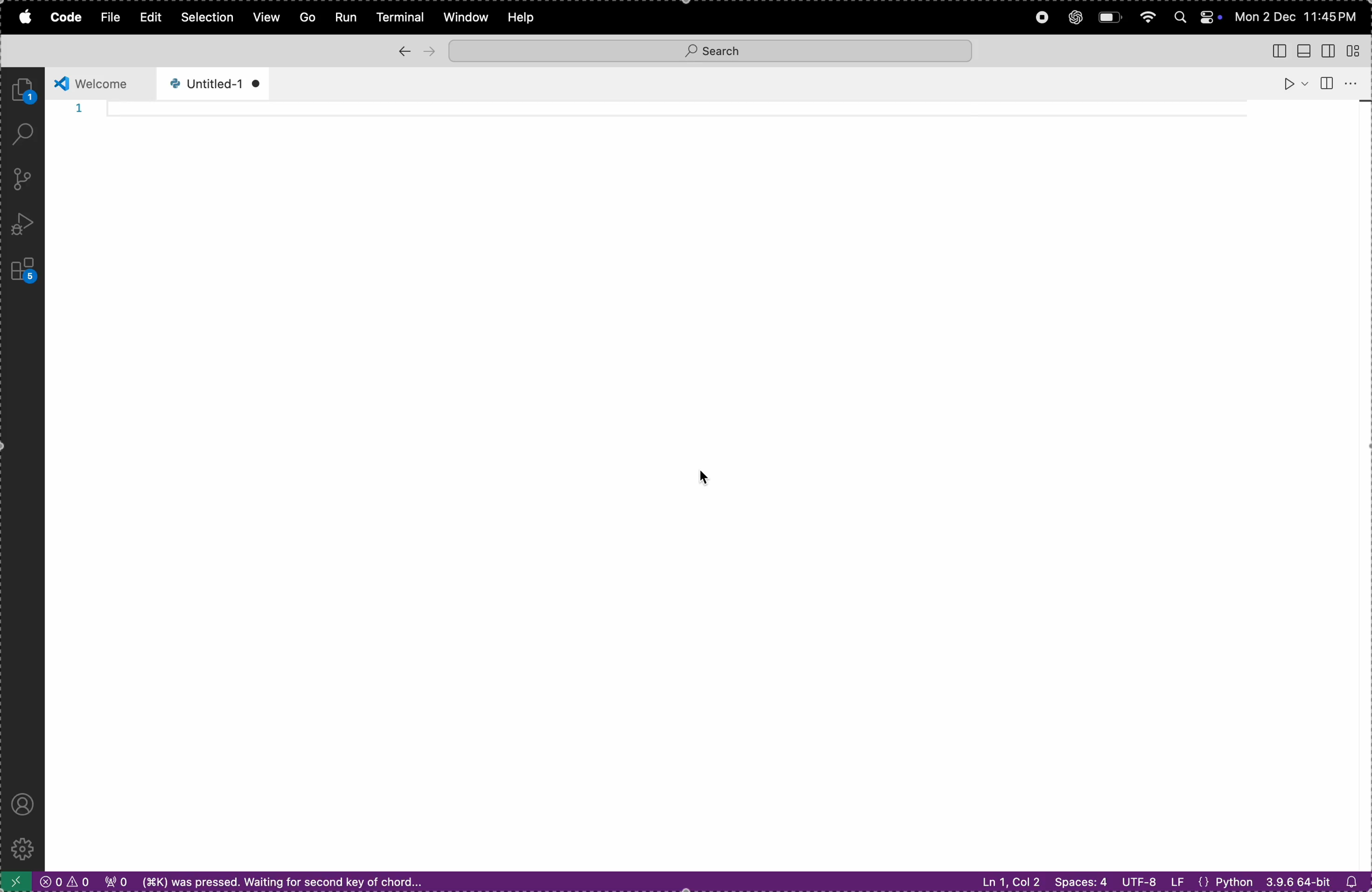 The width and height of the screenshot is (1372, 892). I want to click on view, so click(265, 17).